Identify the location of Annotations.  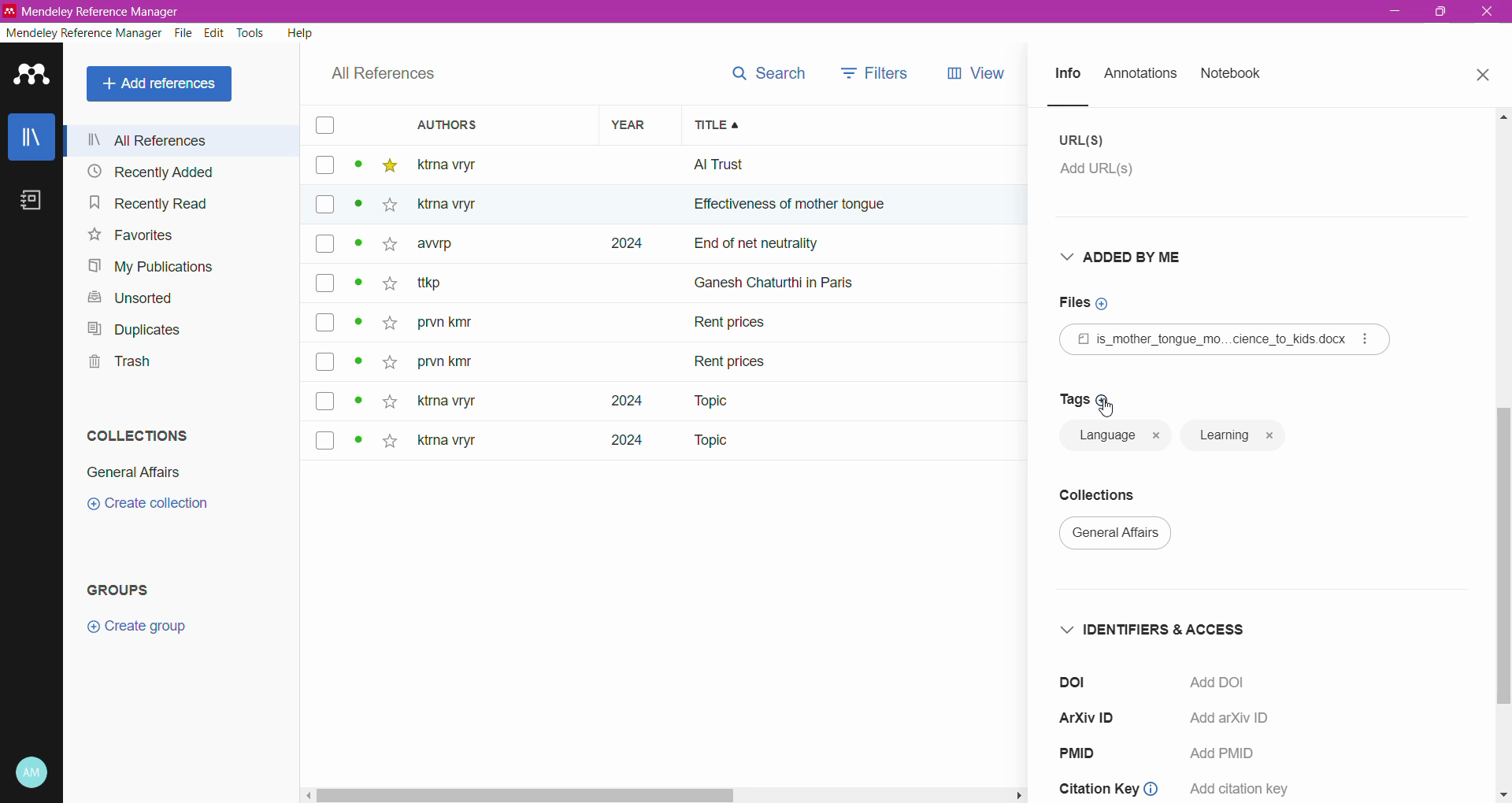
(1140, 75).